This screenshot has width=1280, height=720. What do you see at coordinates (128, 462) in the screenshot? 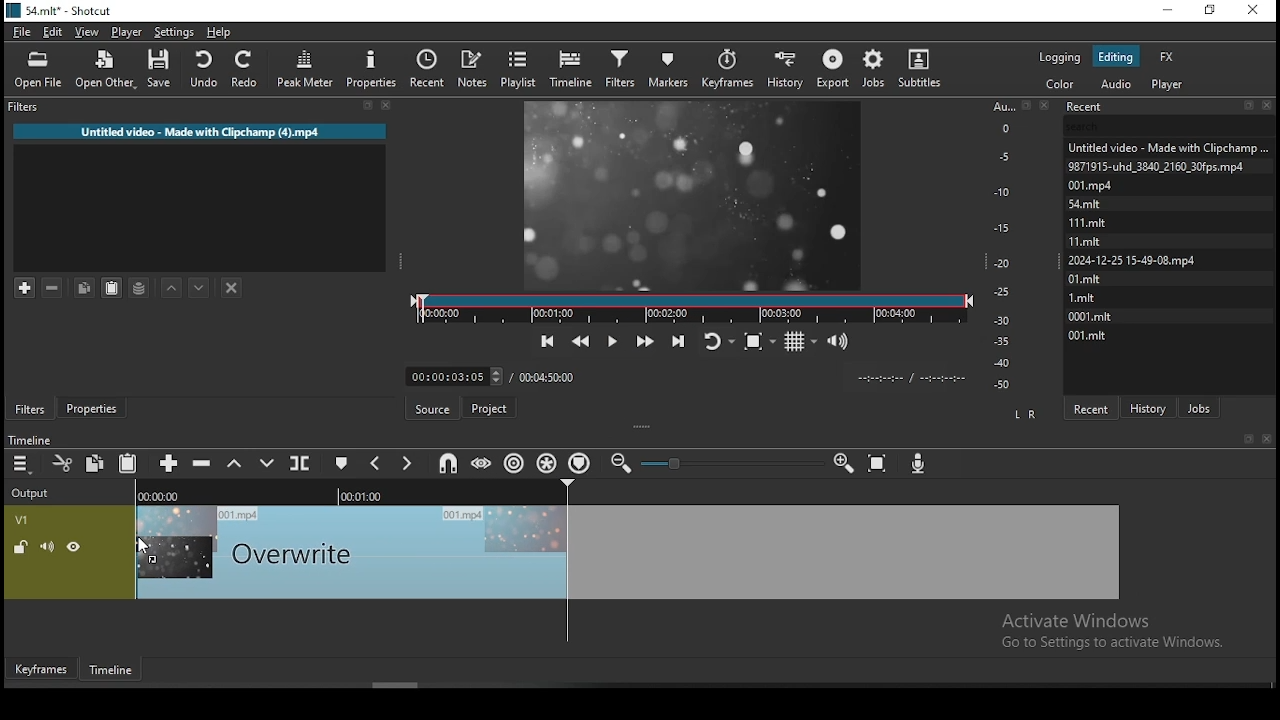
I see `paste` at bounding box center [128, 462].